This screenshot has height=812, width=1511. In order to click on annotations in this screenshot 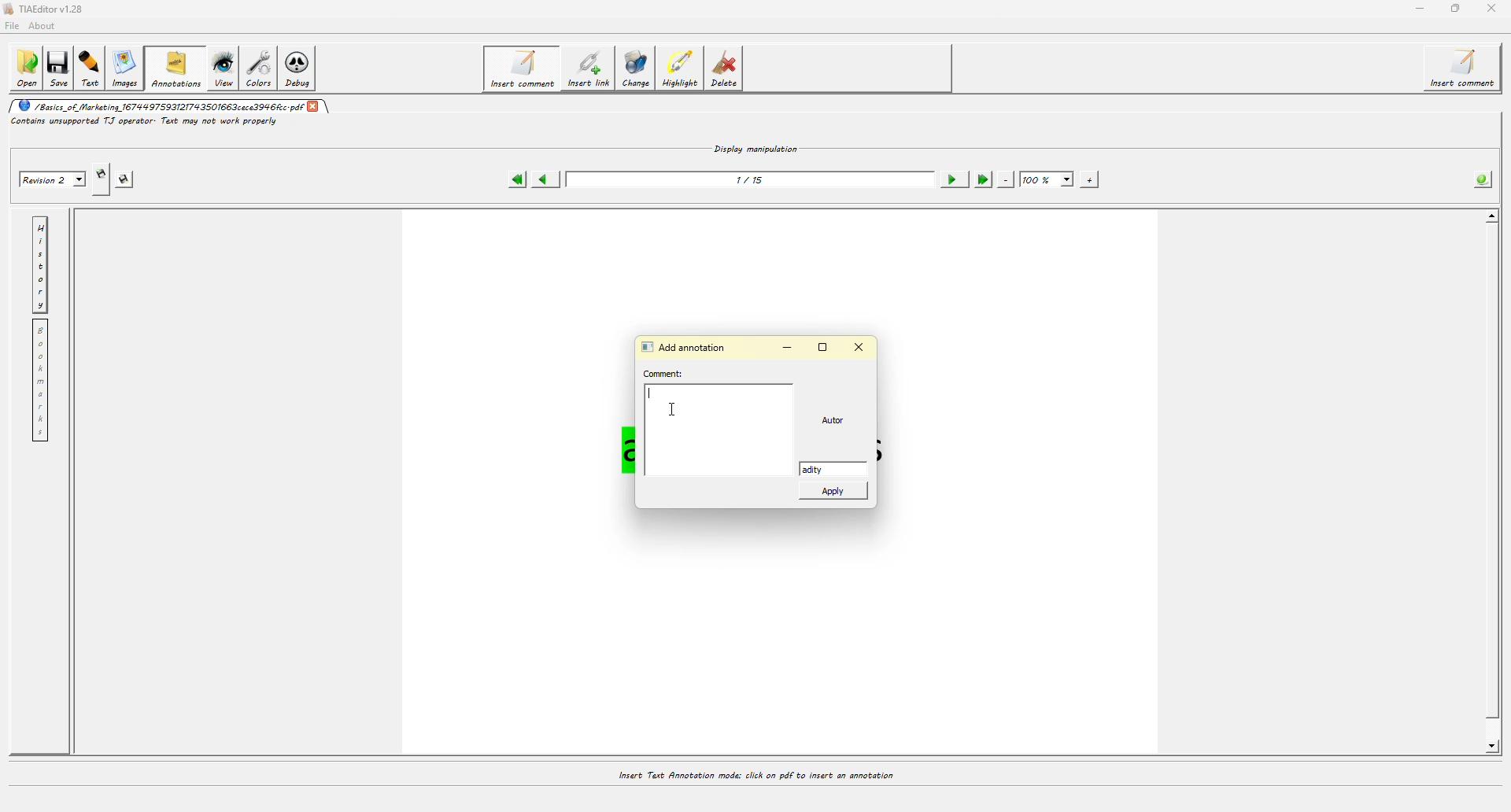, I will do `click(176, 68)`.